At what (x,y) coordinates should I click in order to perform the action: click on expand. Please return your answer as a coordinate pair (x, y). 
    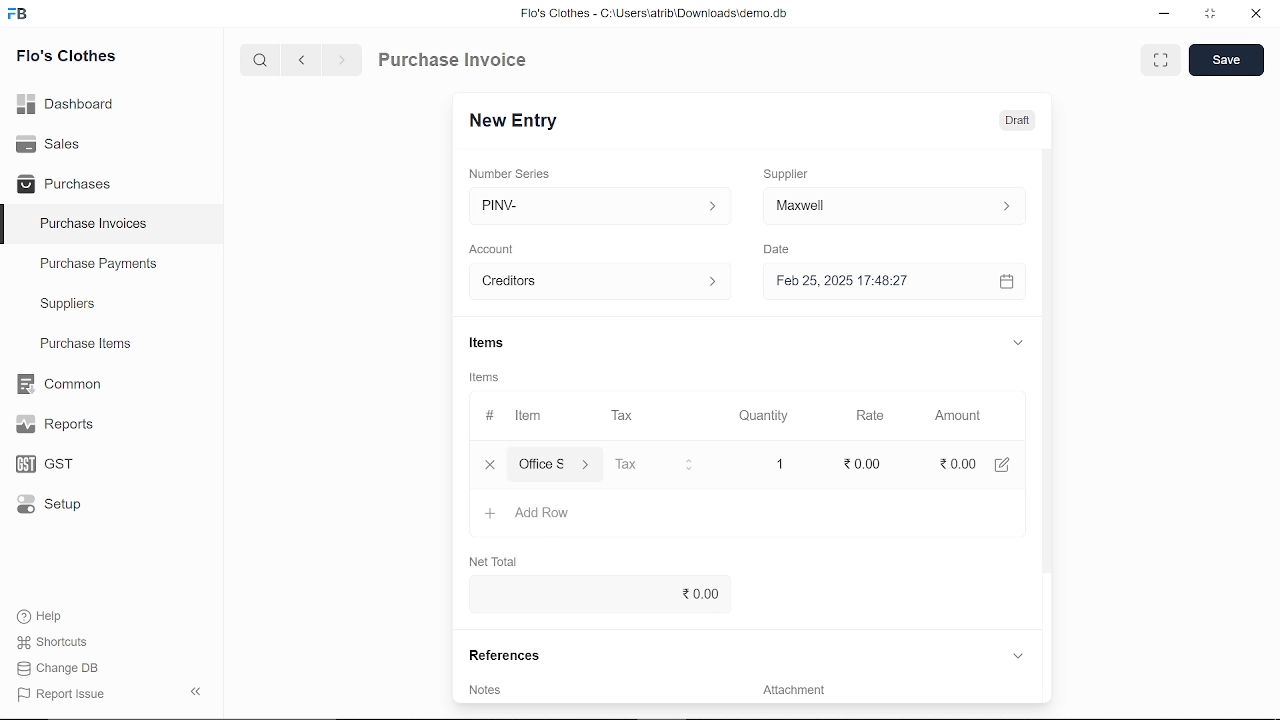
    Looking at the image, I should click on (1017, 655).